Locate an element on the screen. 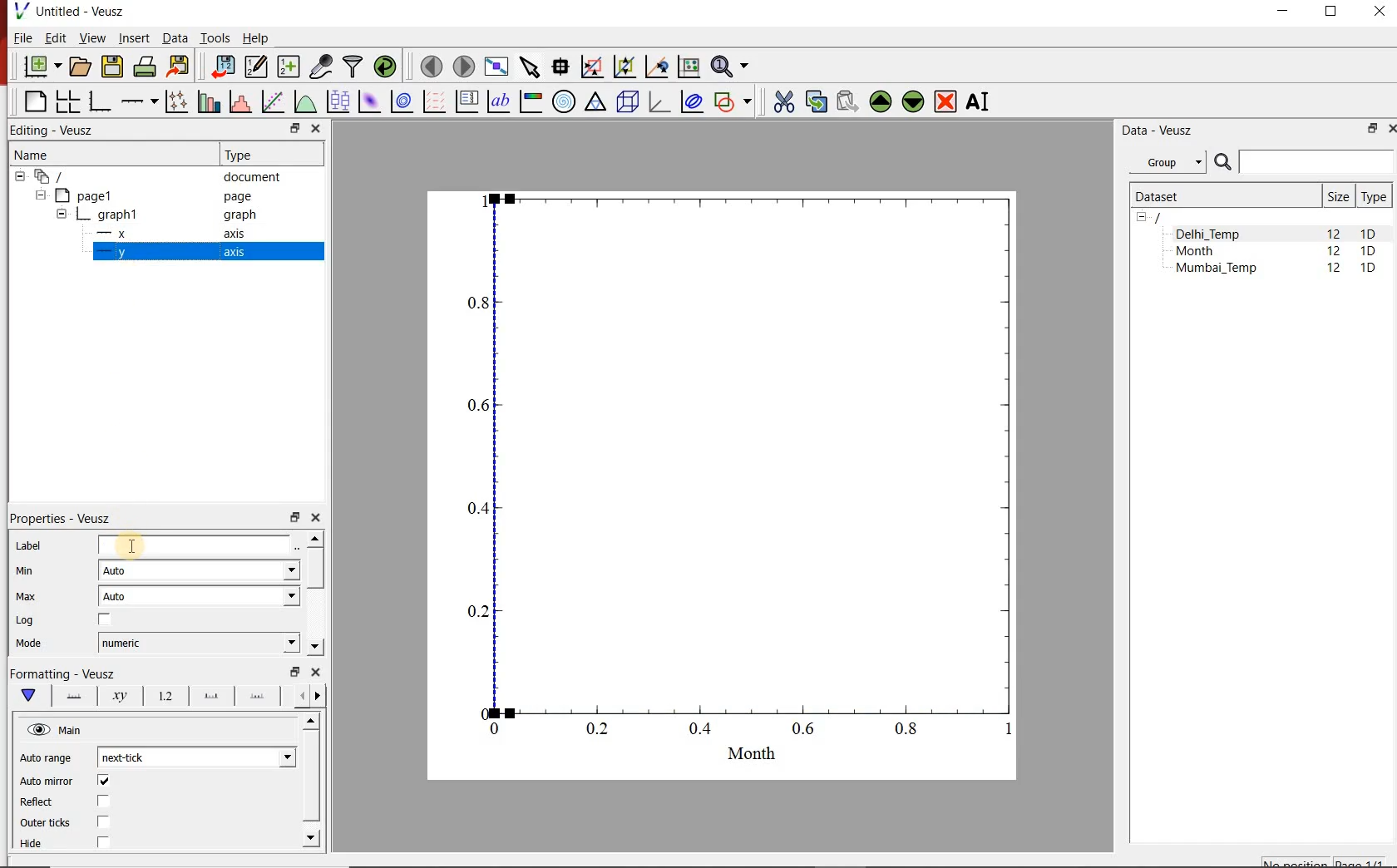 The width and height of the screenshot is (1397, 868). plot a vector field is located at coordinates (433, 102).